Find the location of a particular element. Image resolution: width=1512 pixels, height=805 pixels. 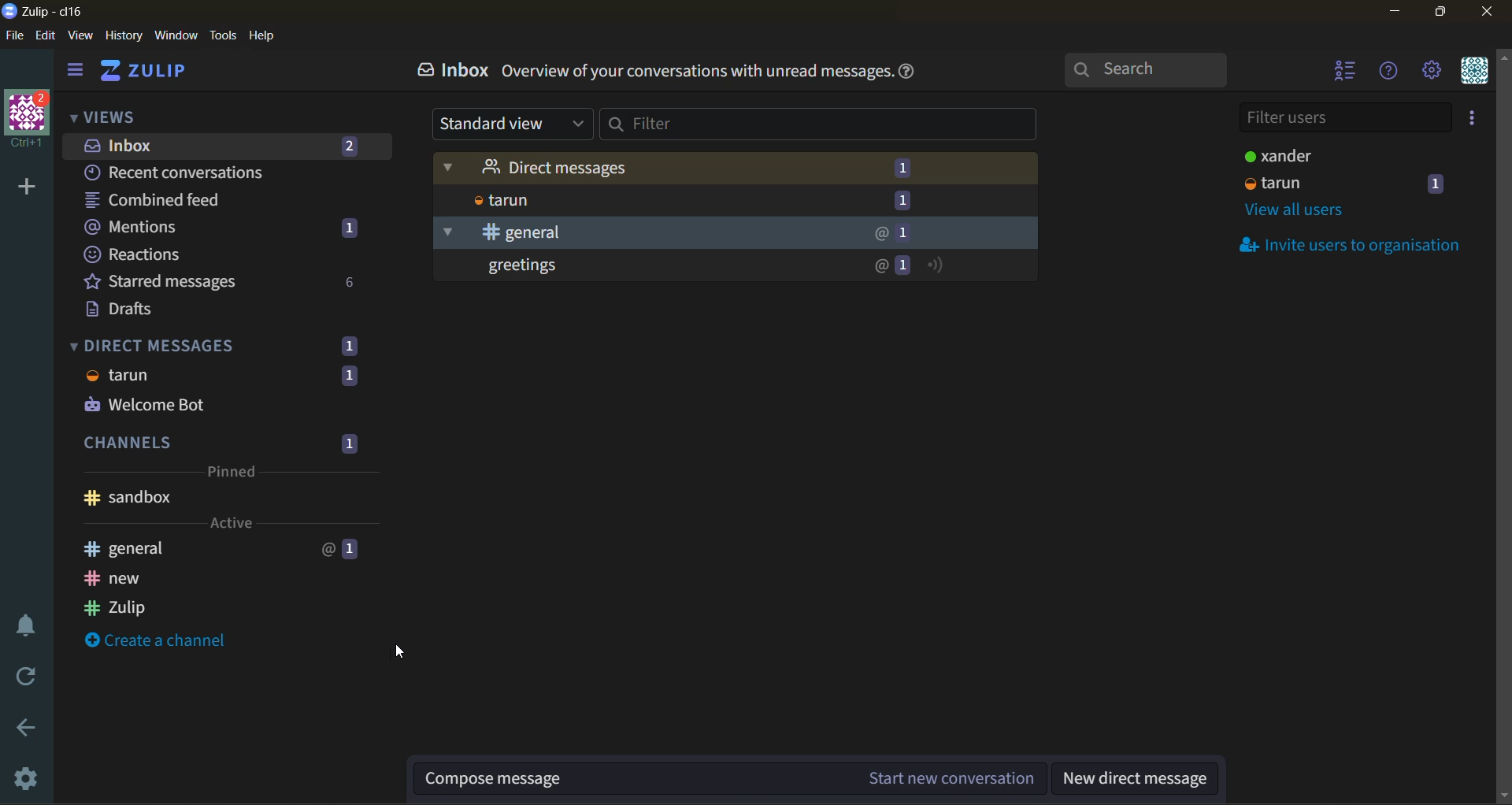

home view is located at coordinates (146, 73).